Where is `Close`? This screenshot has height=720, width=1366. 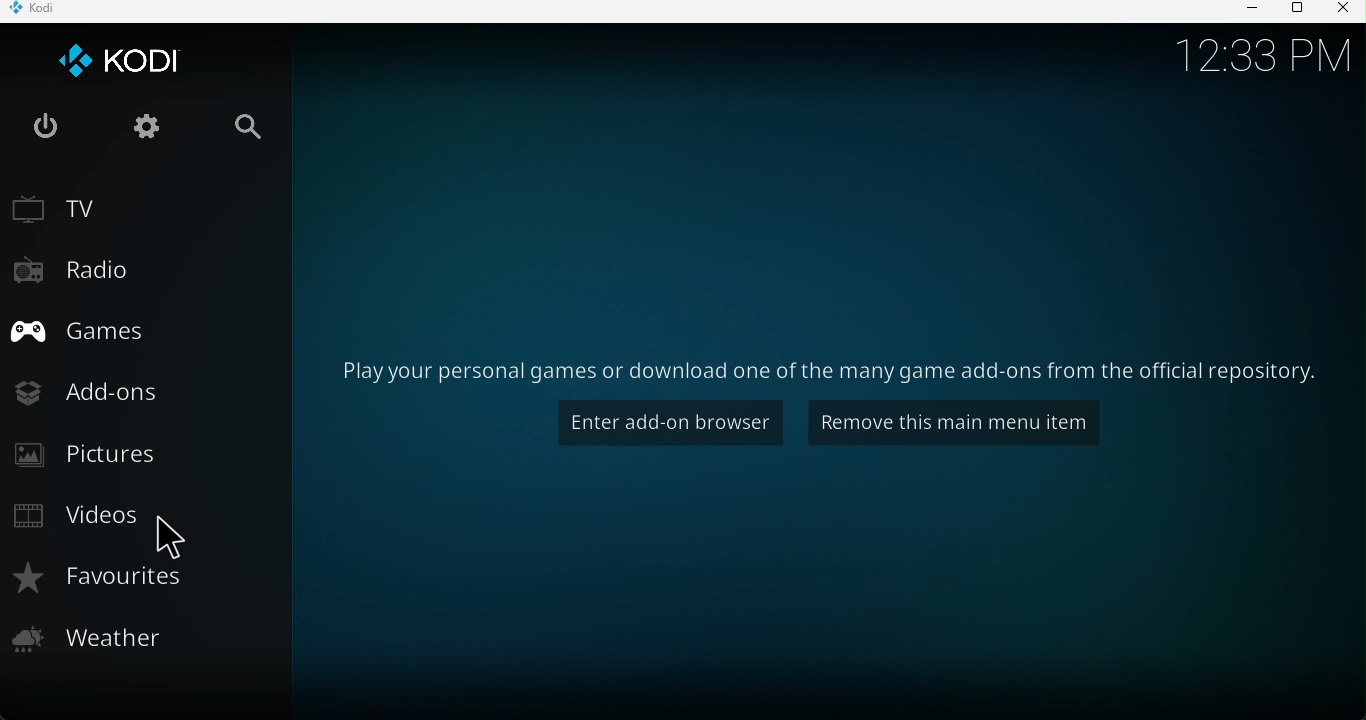
Close is located at coordinates (1346, 12).